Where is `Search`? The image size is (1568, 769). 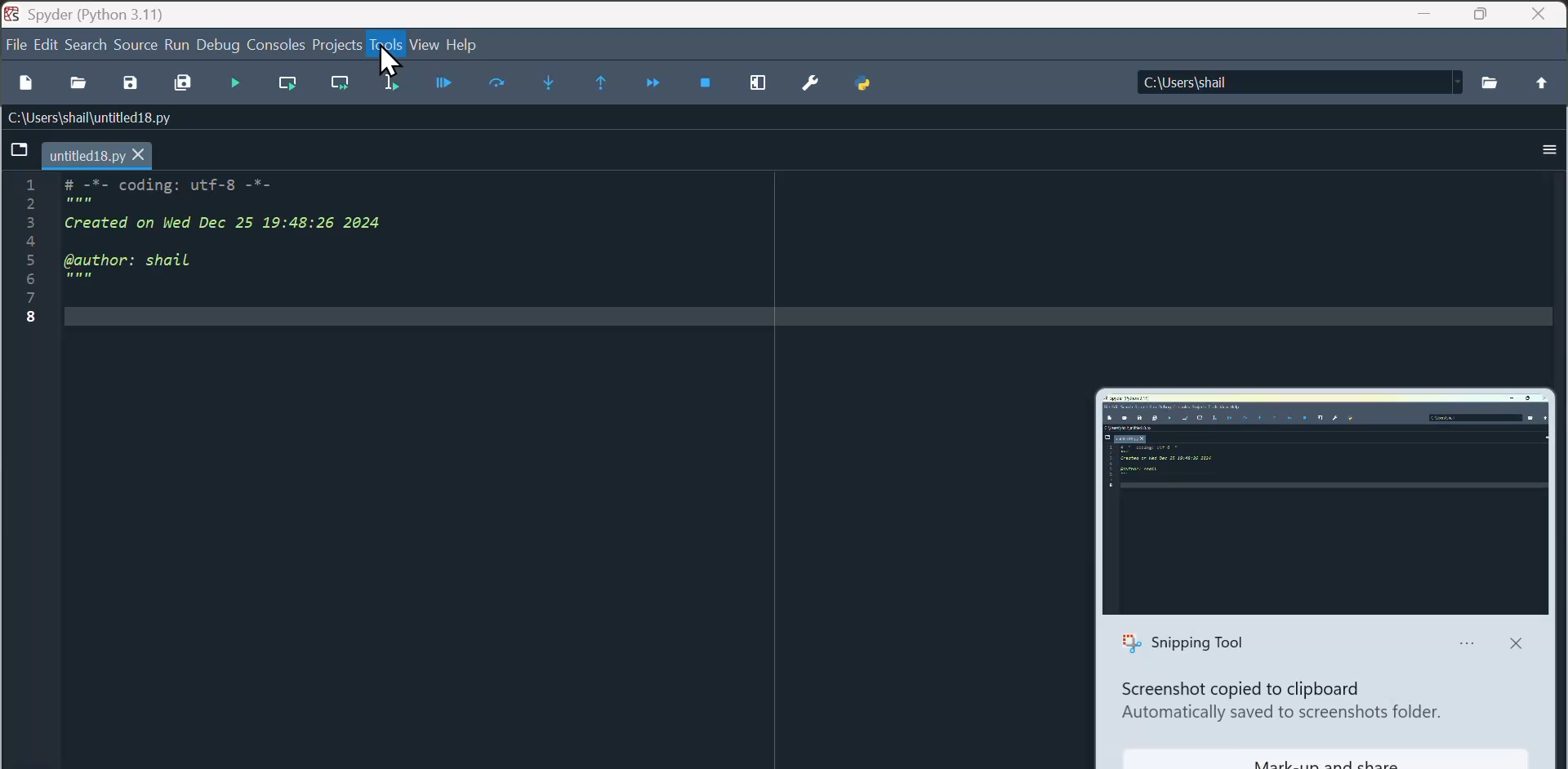 Search is located at coordinates (87, 45).